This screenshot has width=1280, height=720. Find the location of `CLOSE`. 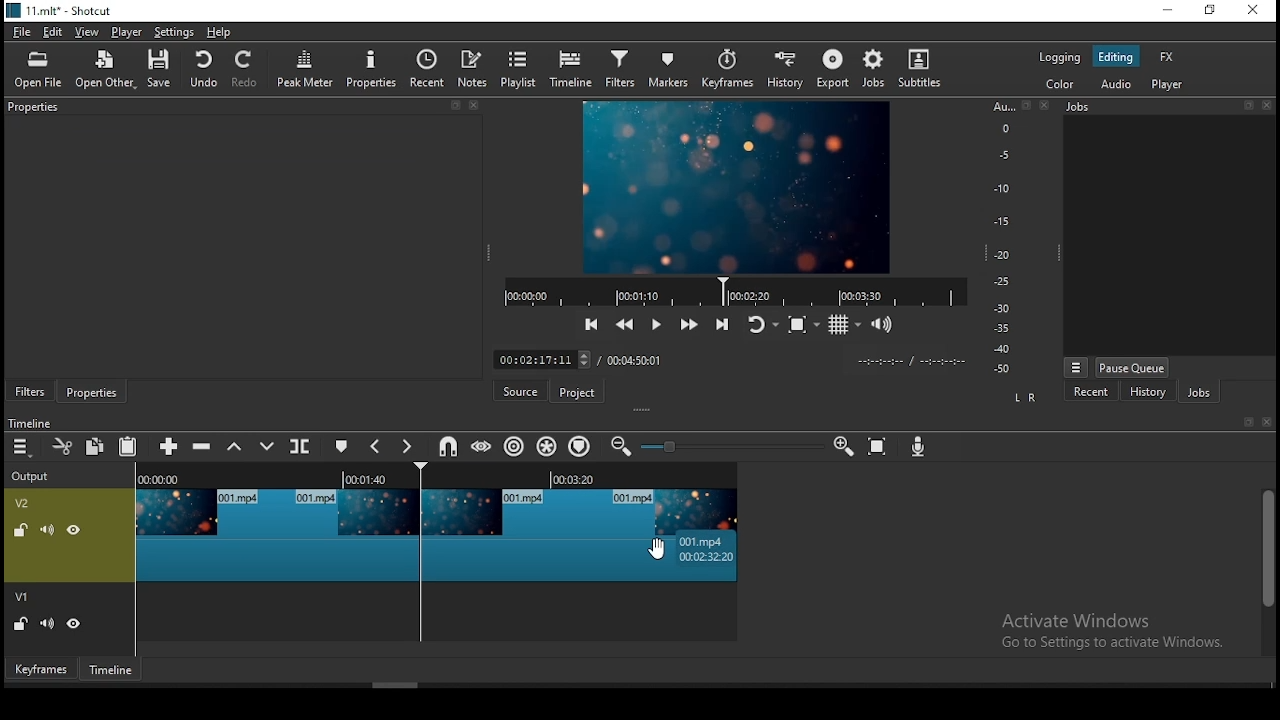

CLOSE is located at coordinates (1265, 423).